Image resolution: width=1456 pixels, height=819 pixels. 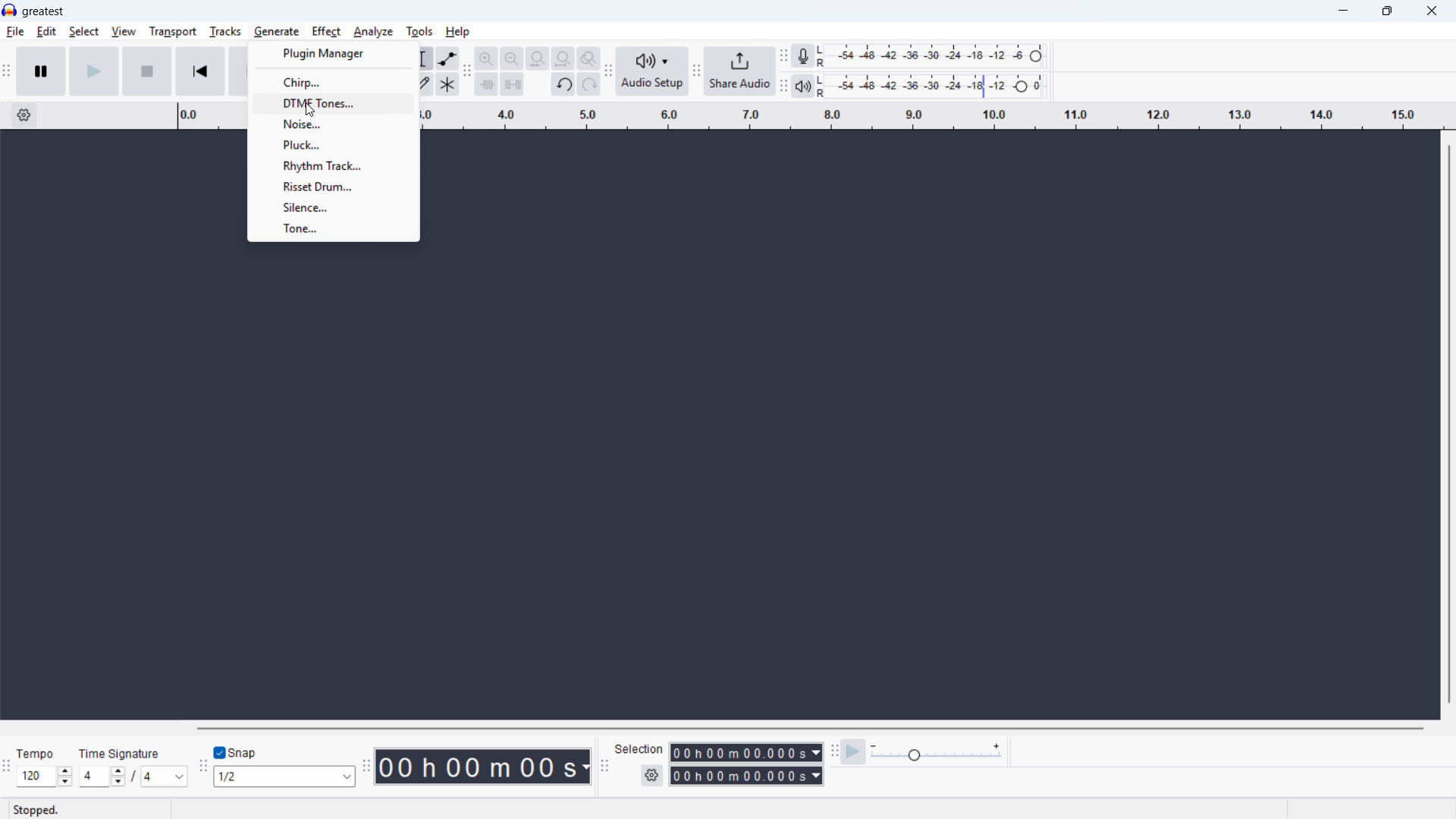 What do you see at coordinates (39, 754) in the screenshot?
I see `tempo` at bounding box center [39, 754].